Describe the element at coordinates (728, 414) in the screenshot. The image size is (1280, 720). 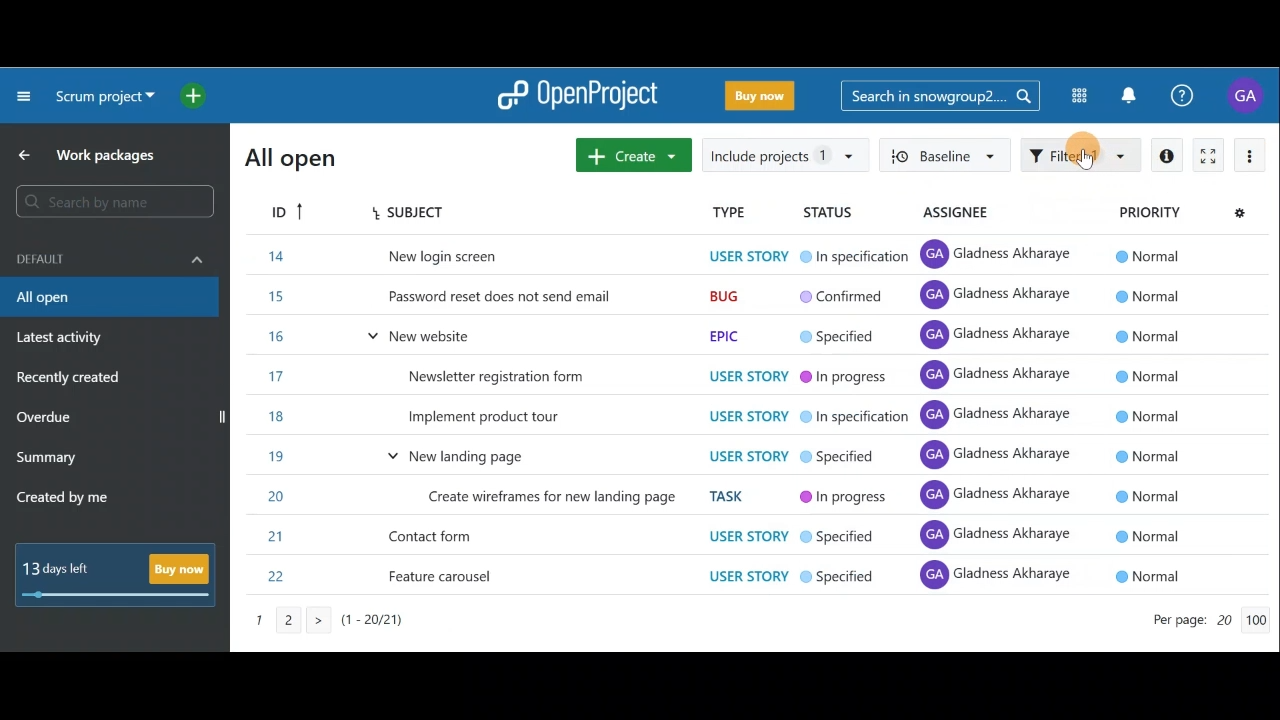
I see `Item 5` at that location.